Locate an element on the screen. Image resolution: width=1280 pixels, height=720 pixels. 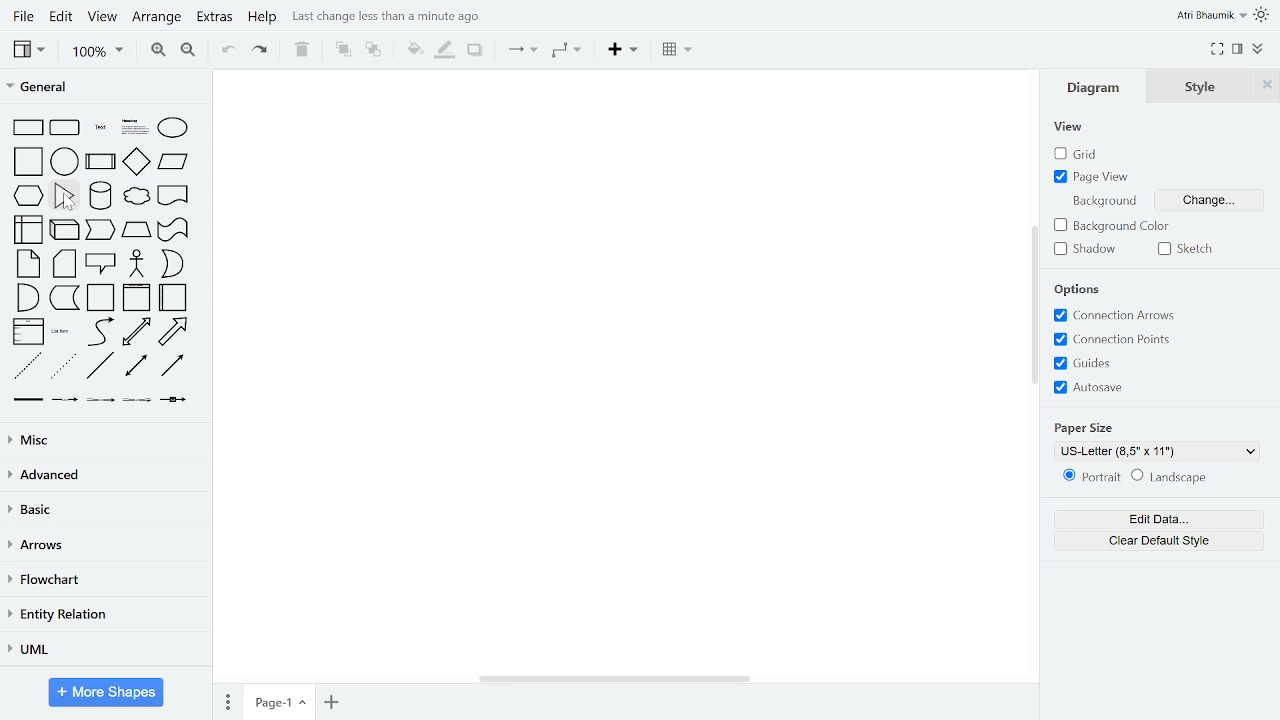
cursor is located at coordinates (67, 203).